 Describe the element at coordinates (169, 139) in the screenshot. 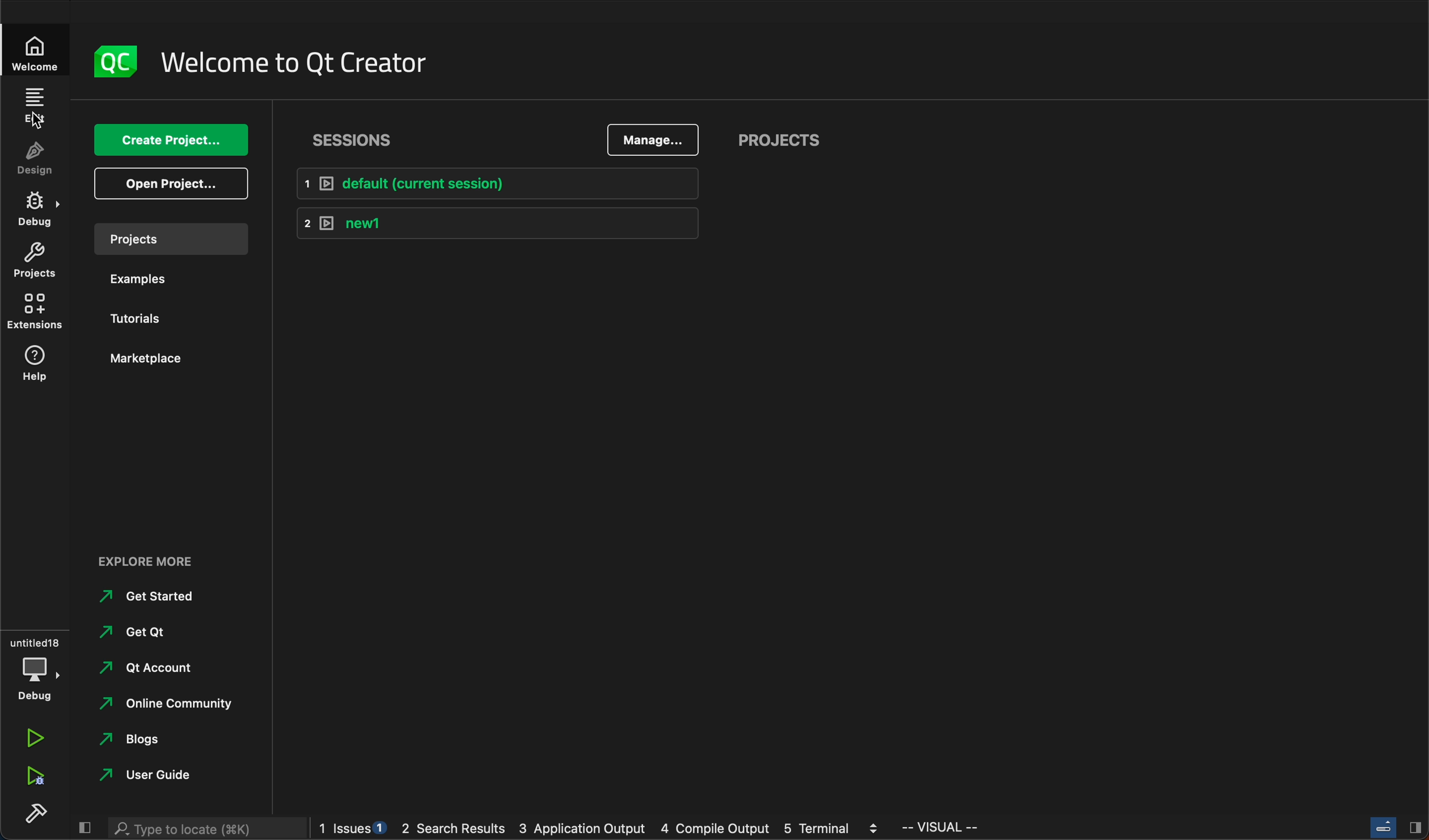

I see `create` at that location.